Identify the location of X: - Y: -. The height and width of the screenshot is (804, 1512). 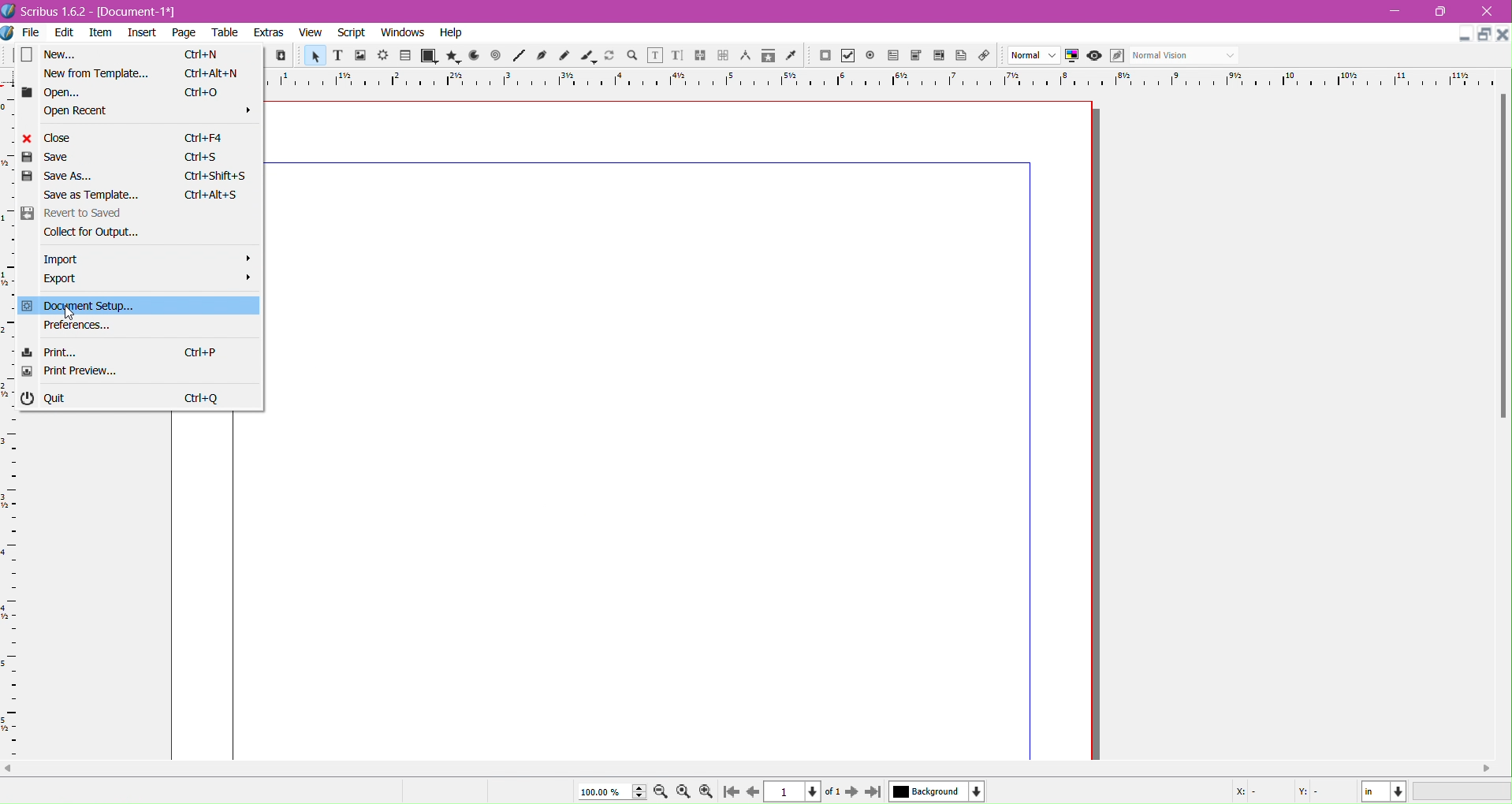
(1276, 792).